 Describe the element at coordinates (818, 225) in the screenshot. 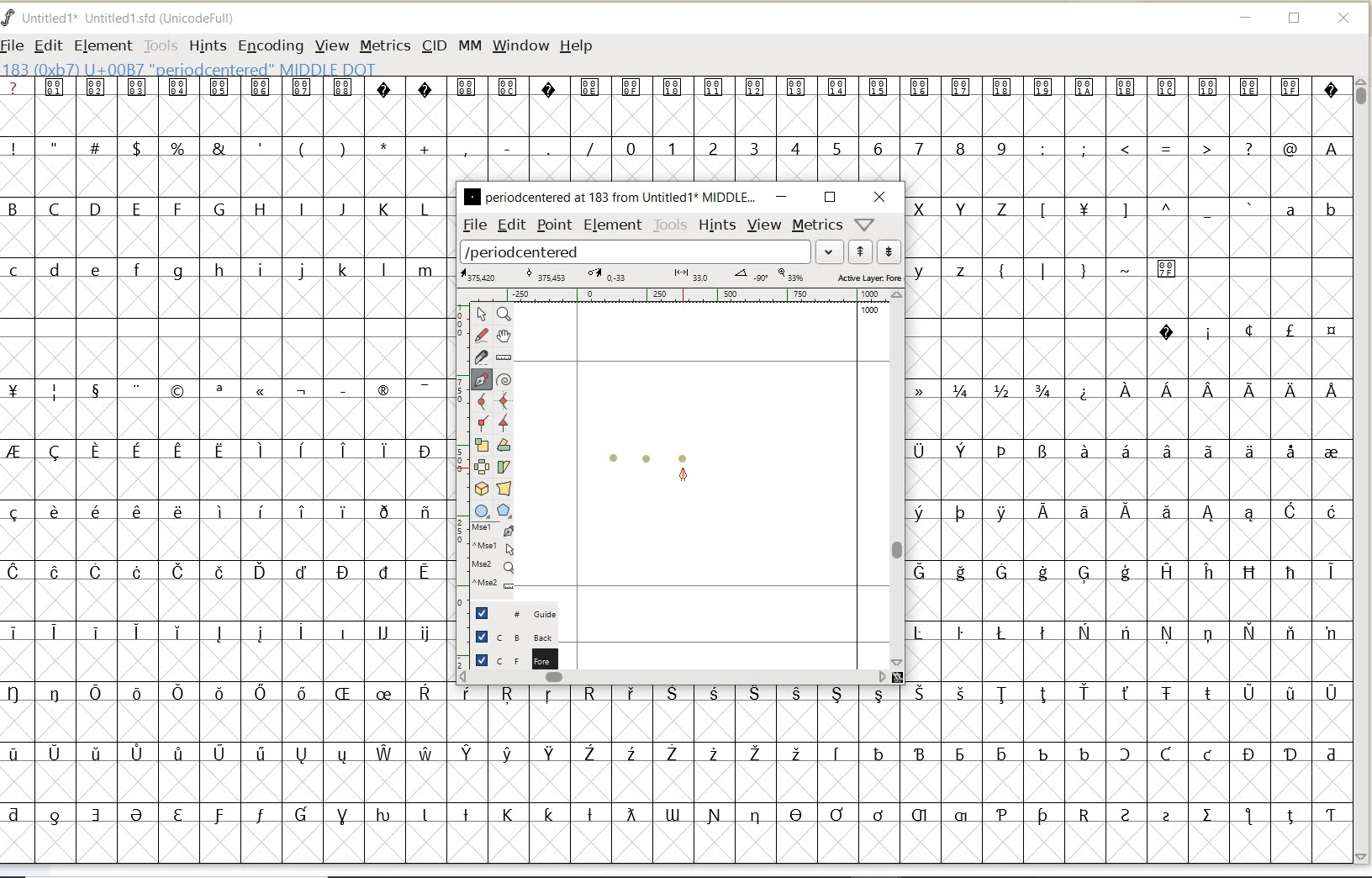

I see `metrics` at that location.